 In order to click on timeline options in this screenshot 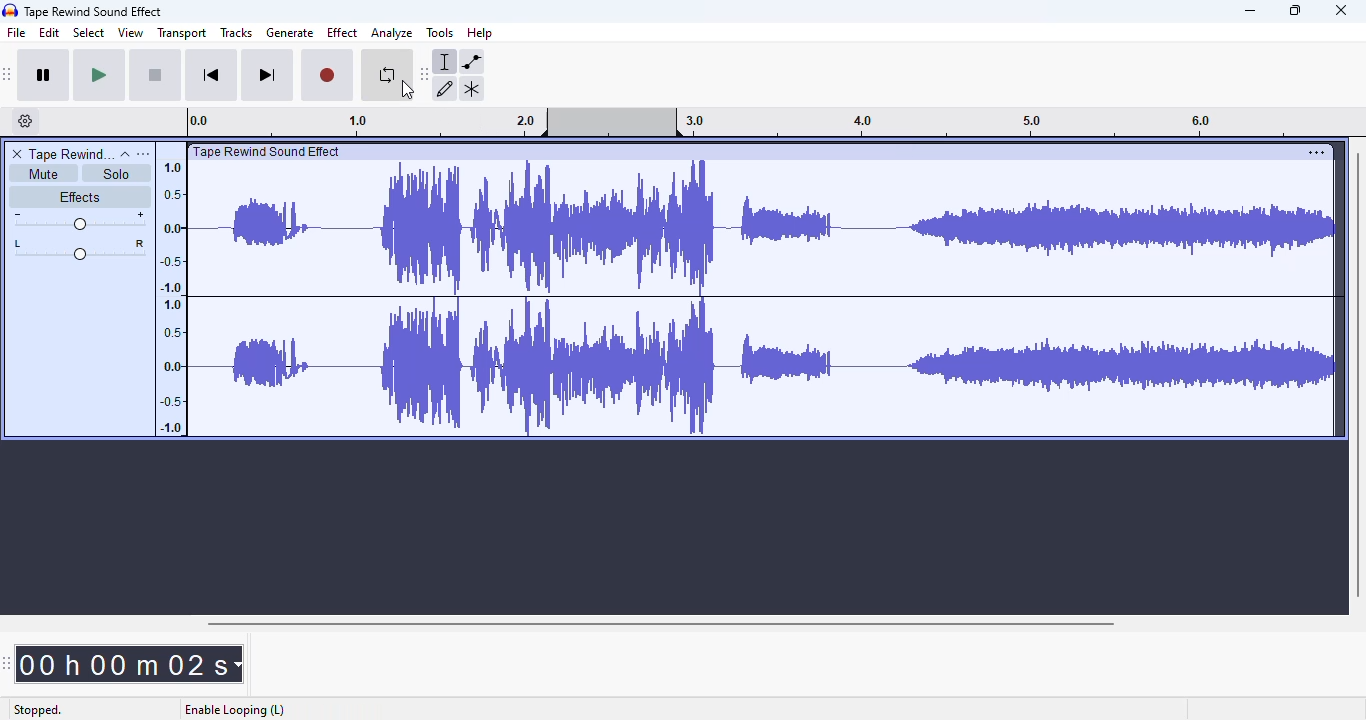, I will do `click(27, 121)`.